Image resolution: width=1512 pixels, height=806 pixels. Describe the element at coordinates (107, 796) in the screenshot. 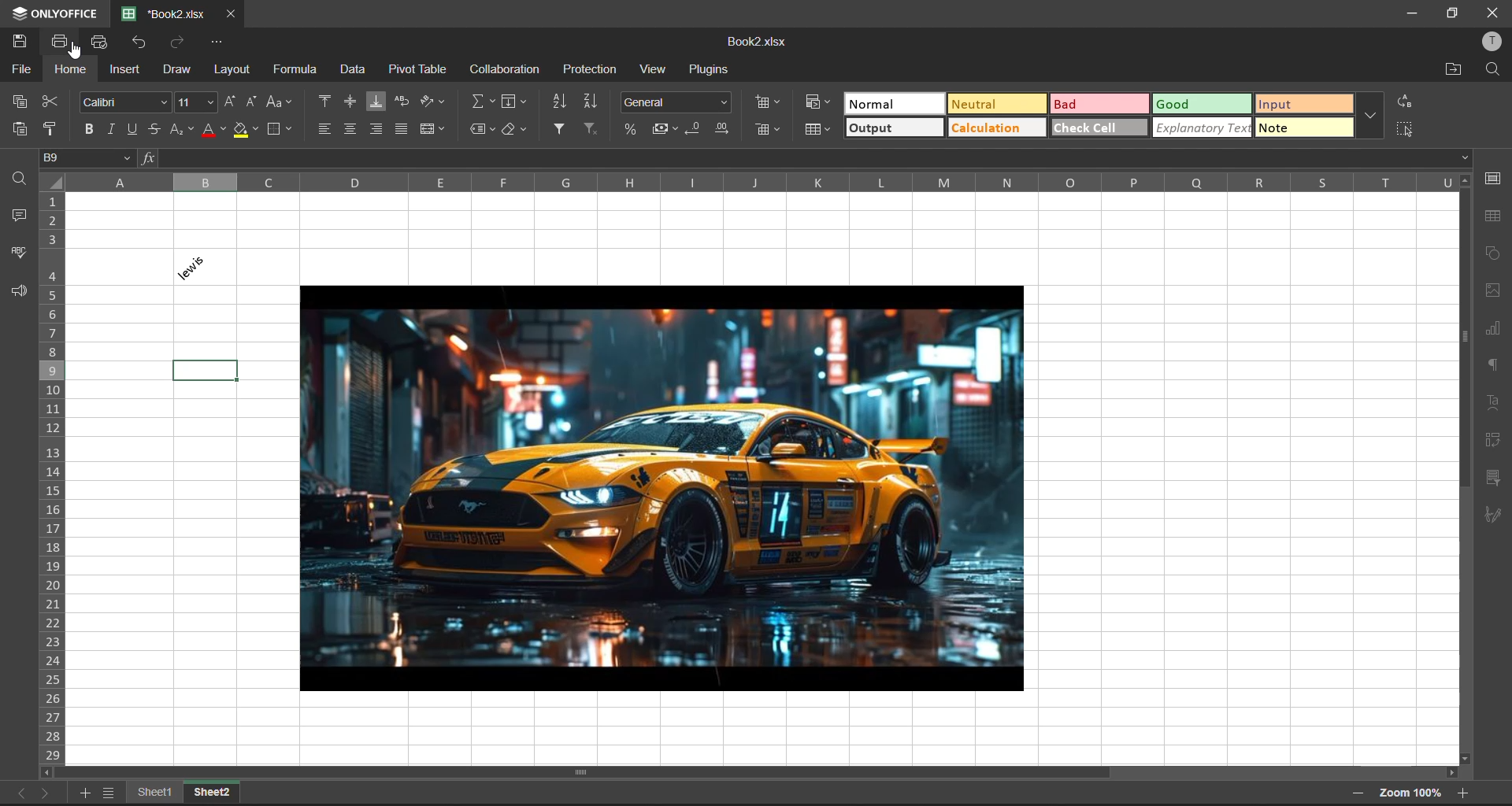

I see `add sheet` at that location.